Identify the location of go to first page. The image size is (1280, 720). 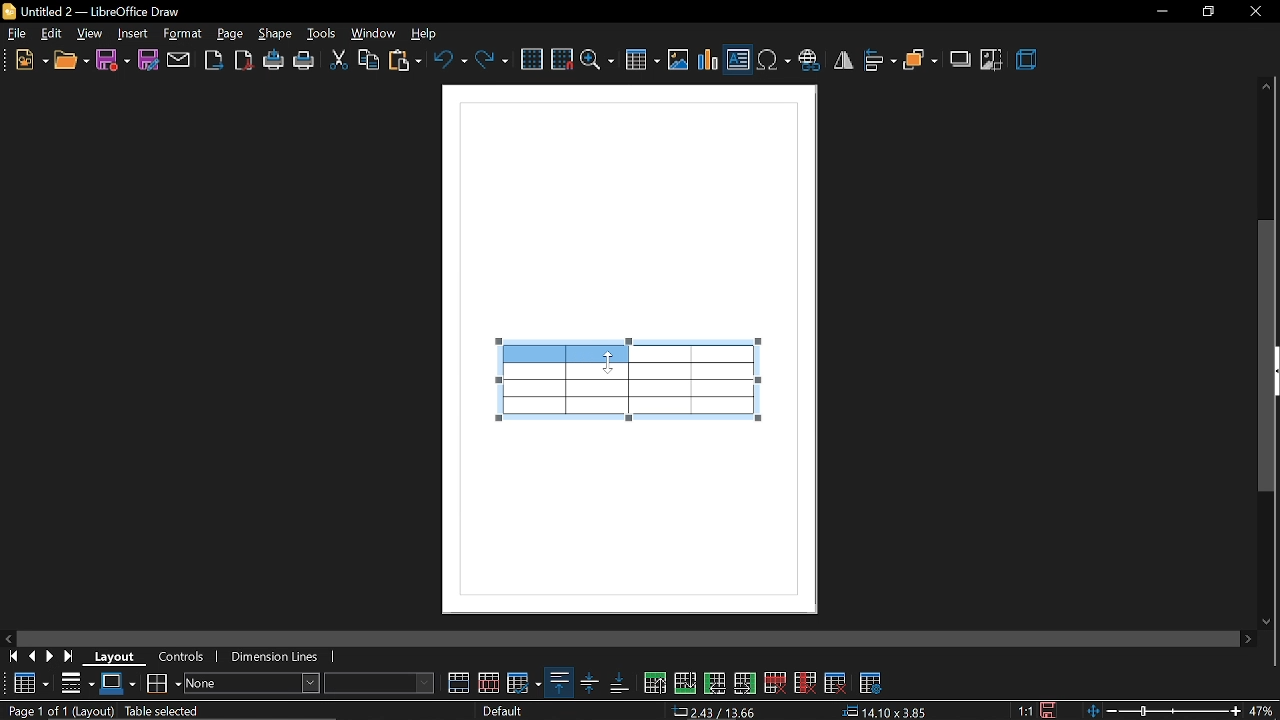
(10, 656).